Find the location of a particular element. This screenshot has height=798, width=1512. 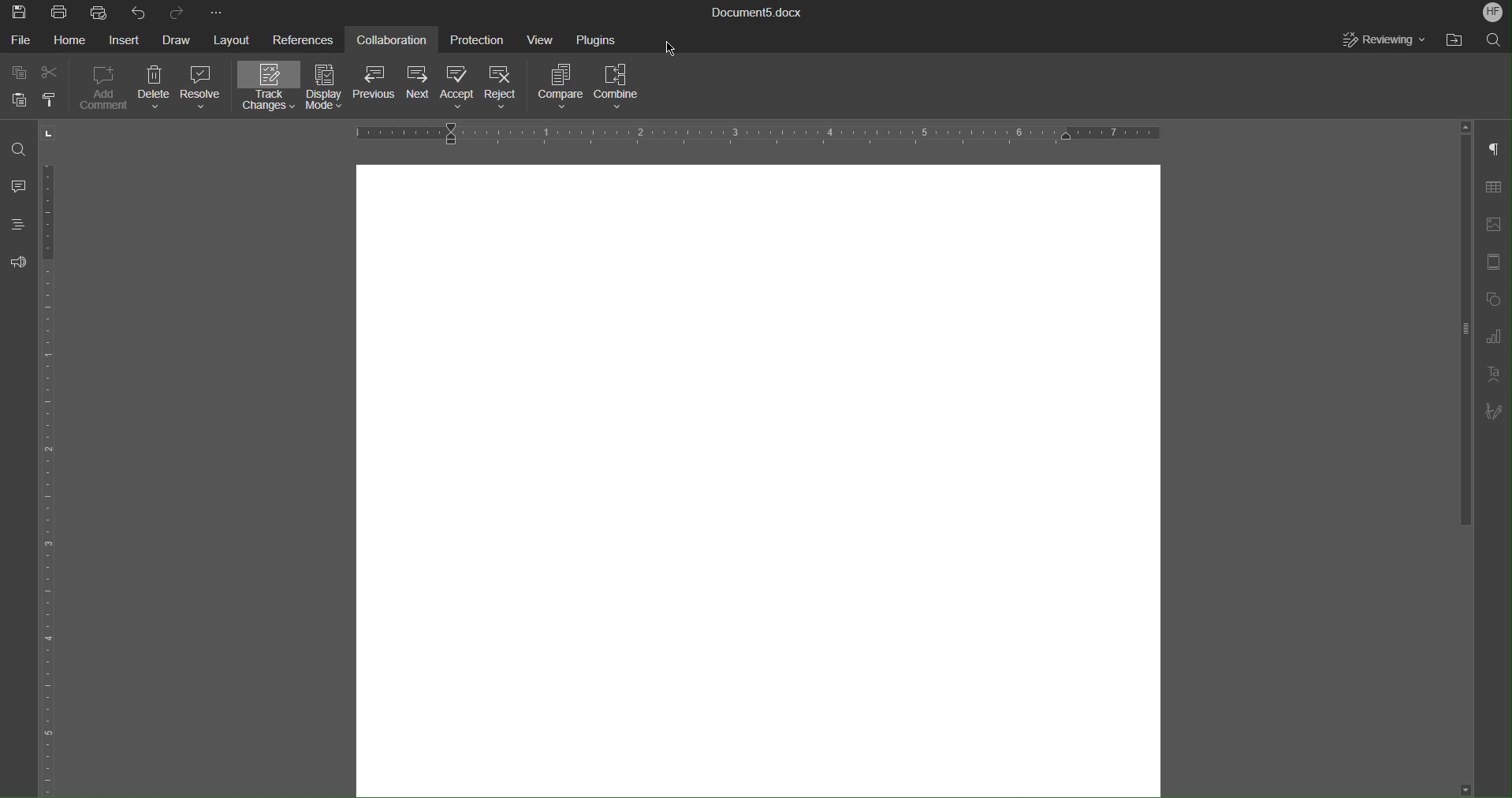

Feedback and Support is located at coordinates (20, 268).